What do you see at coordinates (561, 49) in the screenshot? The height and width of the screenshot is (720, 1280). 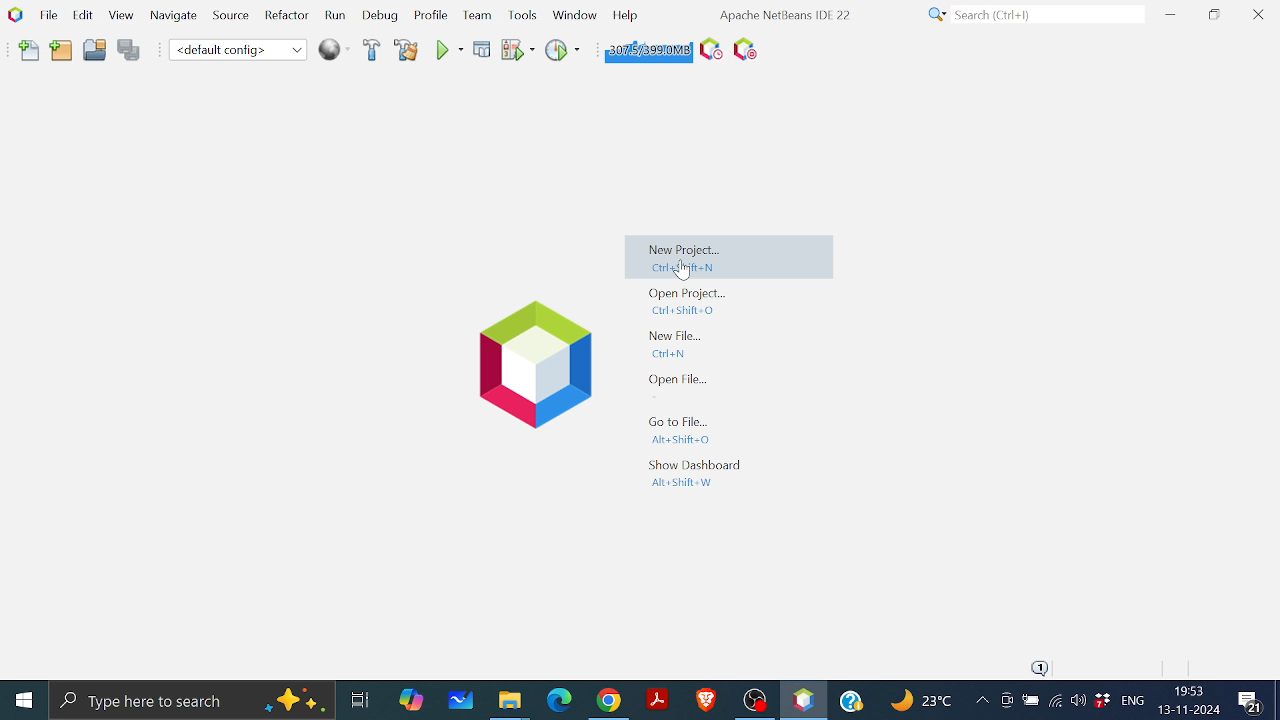 I see `Profile project` at bounding box center [561, 49].